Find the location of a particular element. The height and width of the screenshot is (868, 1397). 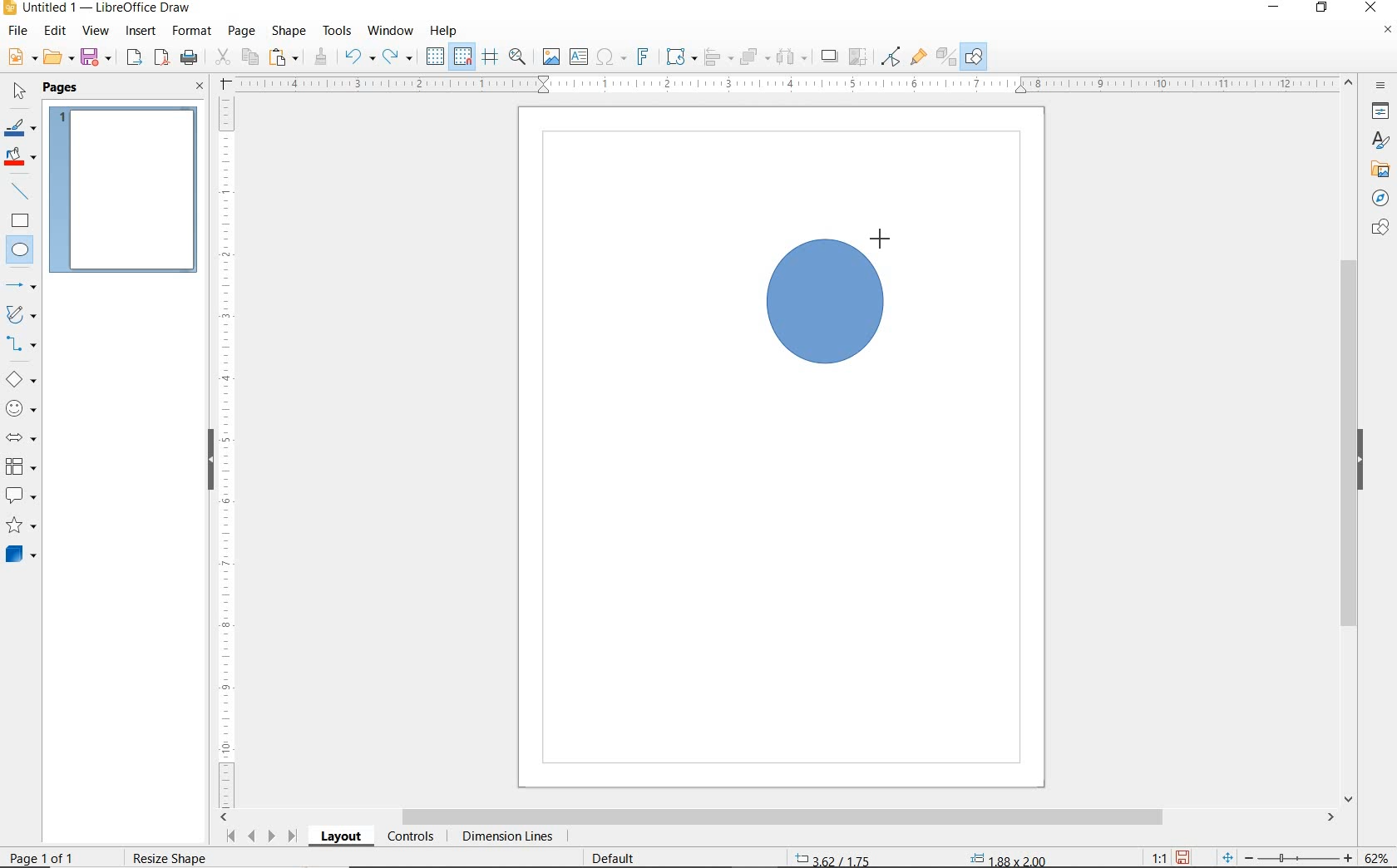

rESIZE sHAPE is located at coordinates (168, 857).